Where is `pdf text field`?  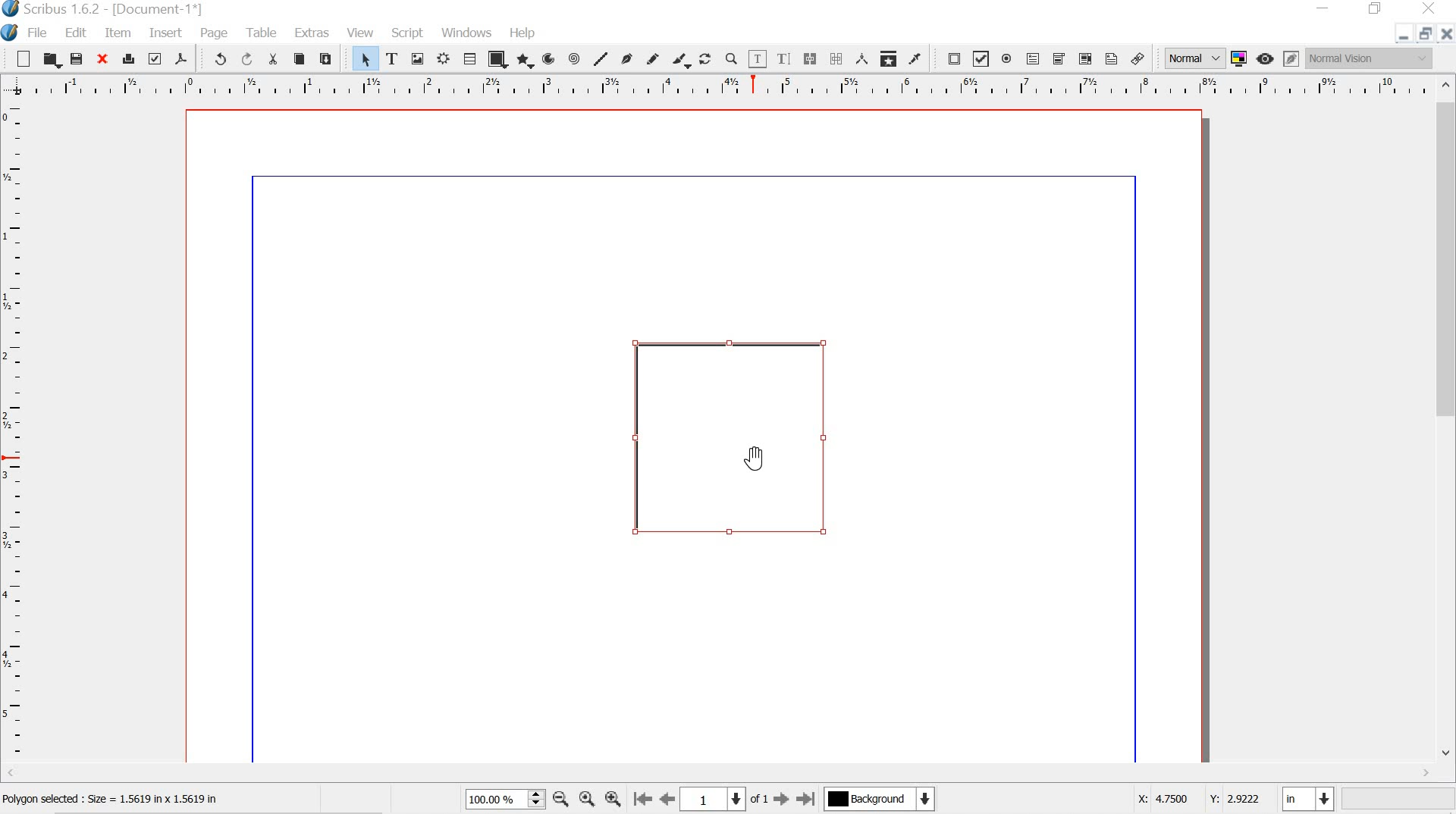
pdf text field is located at coordinates (1036, 59).